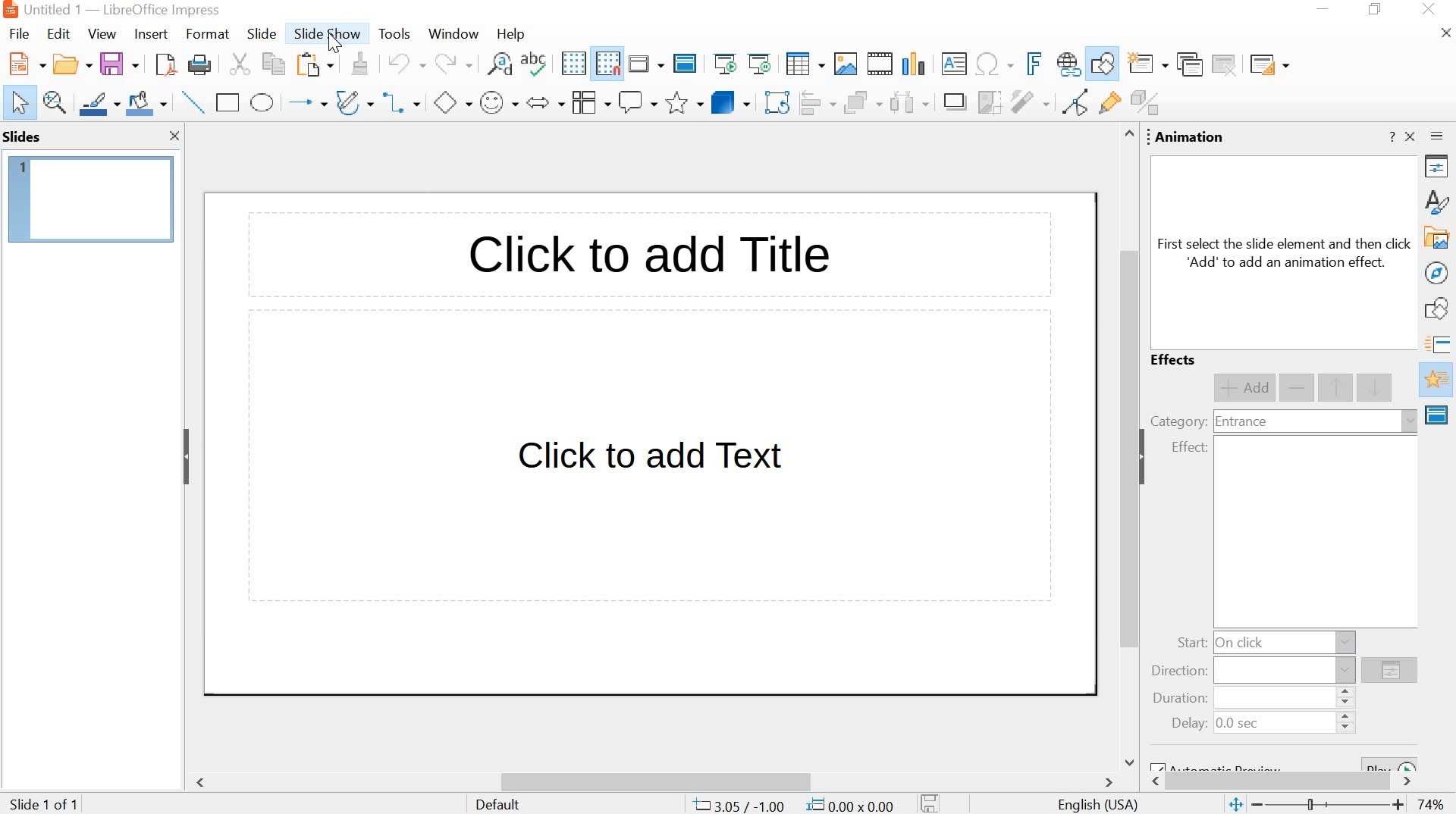  I want to click on insert fontwork text, so click(1031, 63).